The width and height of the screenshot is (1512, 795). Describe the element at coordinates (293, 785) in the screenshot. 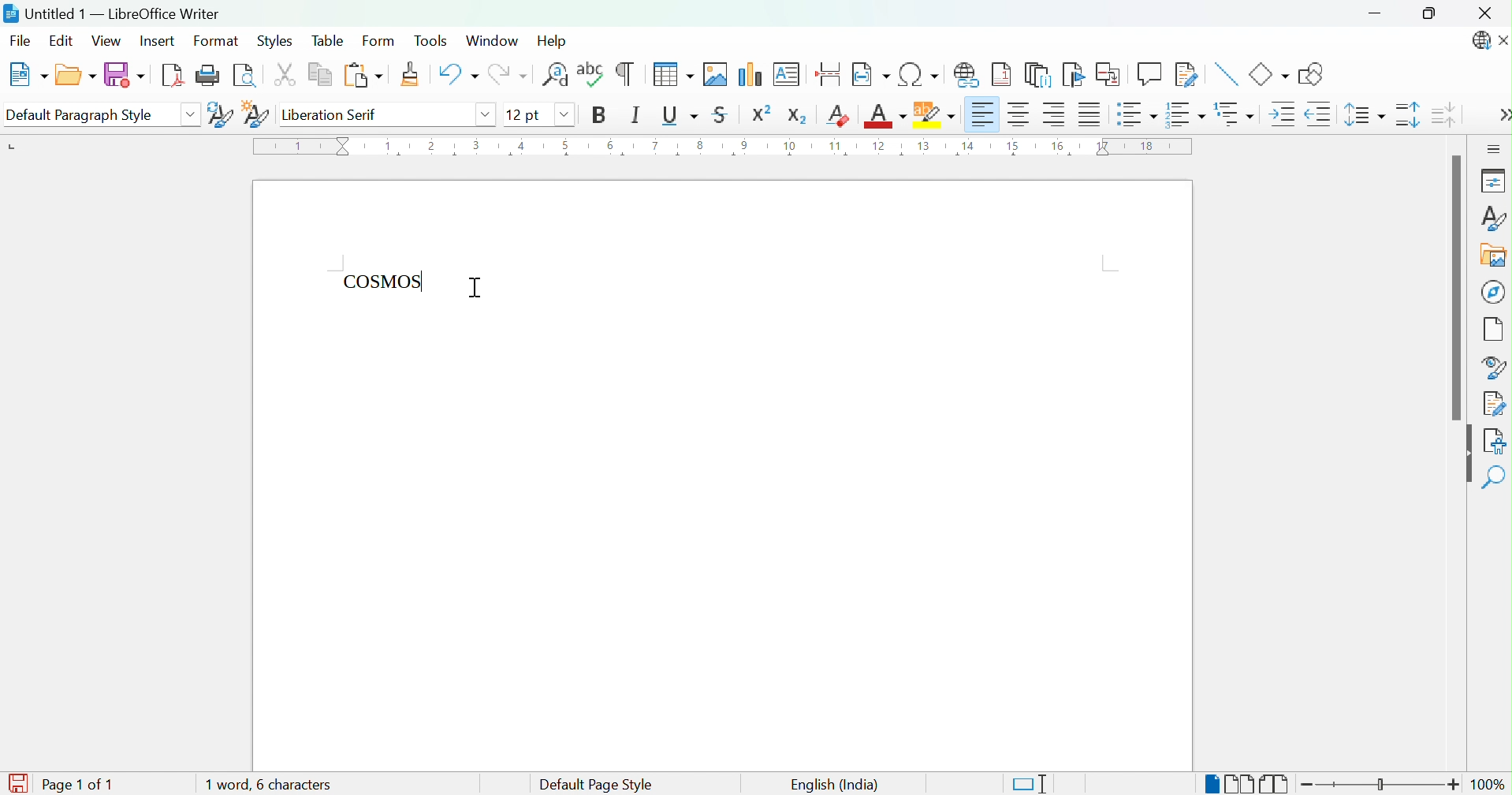

I see `1 word, 6 characters` at that location.